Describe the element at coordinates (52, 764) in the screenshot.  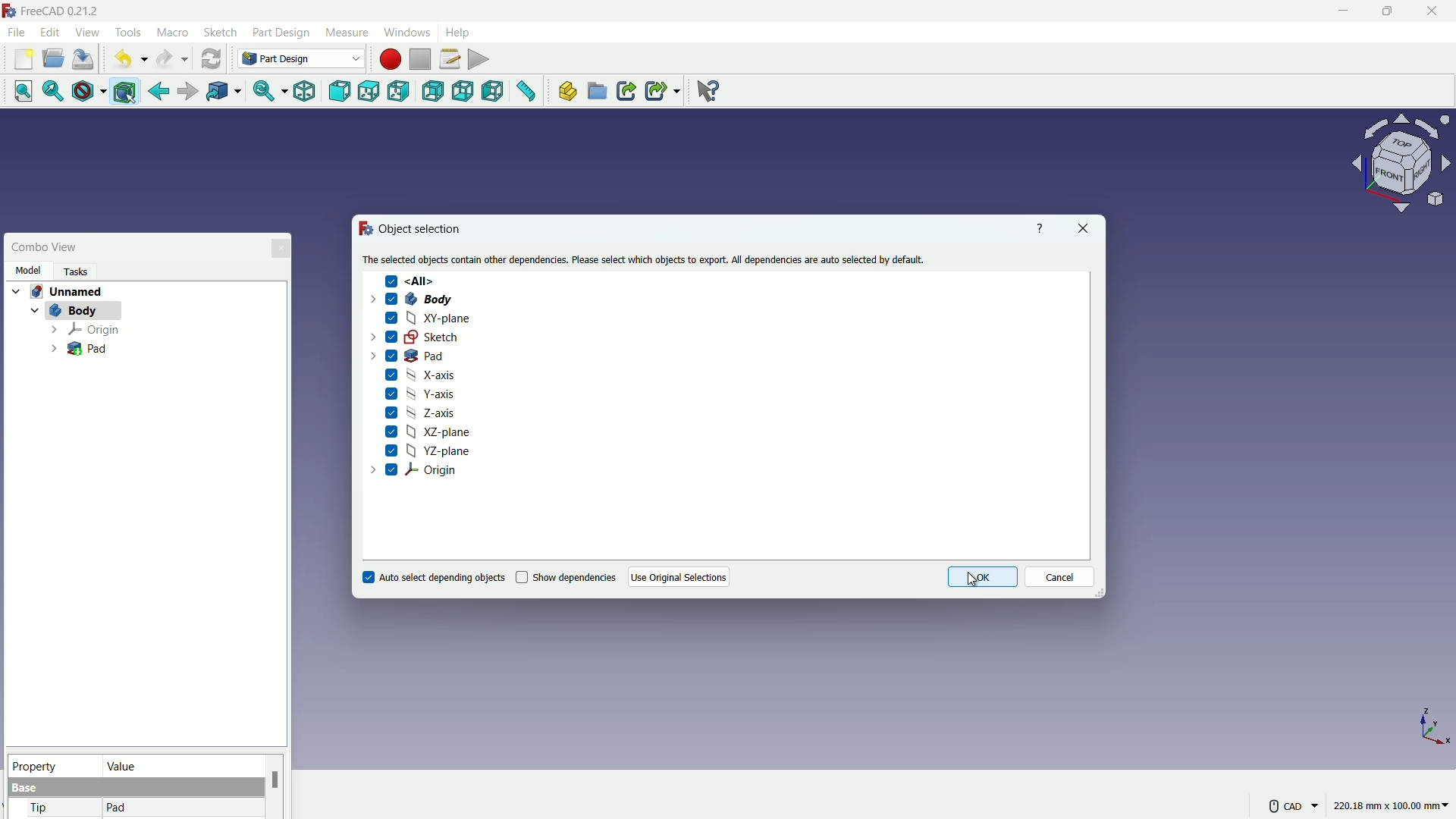
I see `property` at that location.